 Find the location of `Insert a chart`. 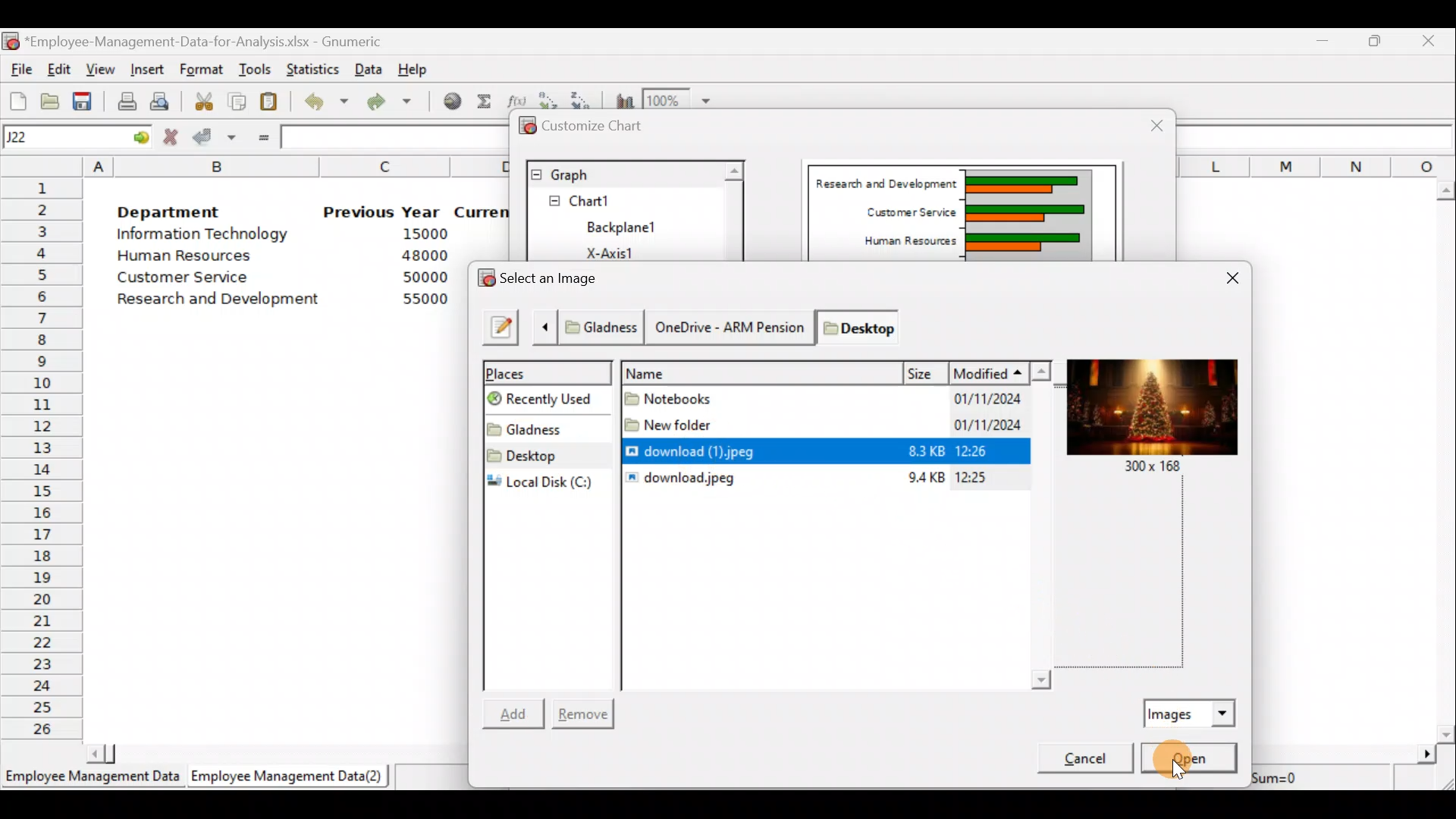

Insert a chart is located at coordinates (622, 99).